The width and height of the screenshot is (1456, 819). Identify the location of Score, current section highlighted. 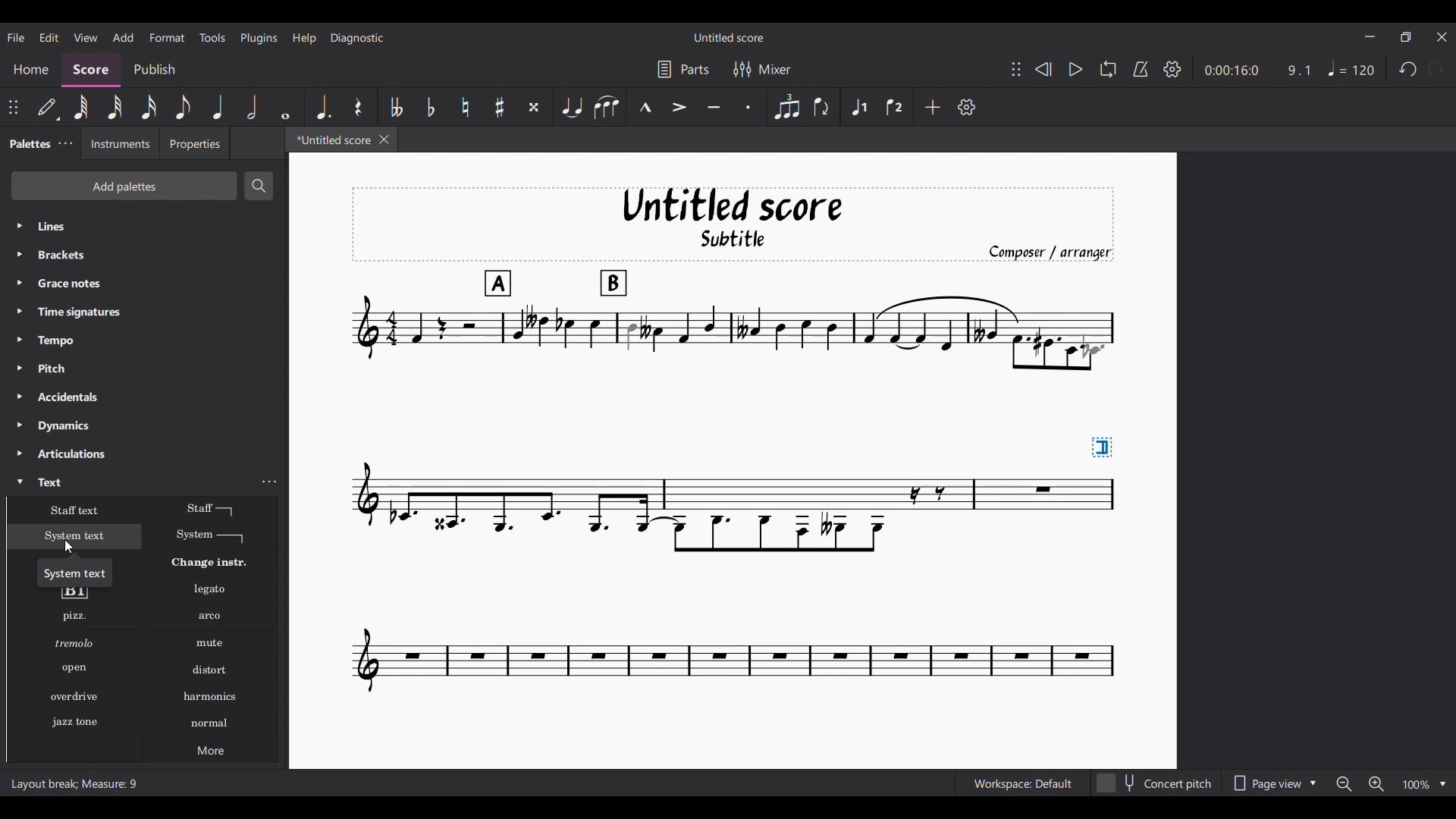
(91, 70).